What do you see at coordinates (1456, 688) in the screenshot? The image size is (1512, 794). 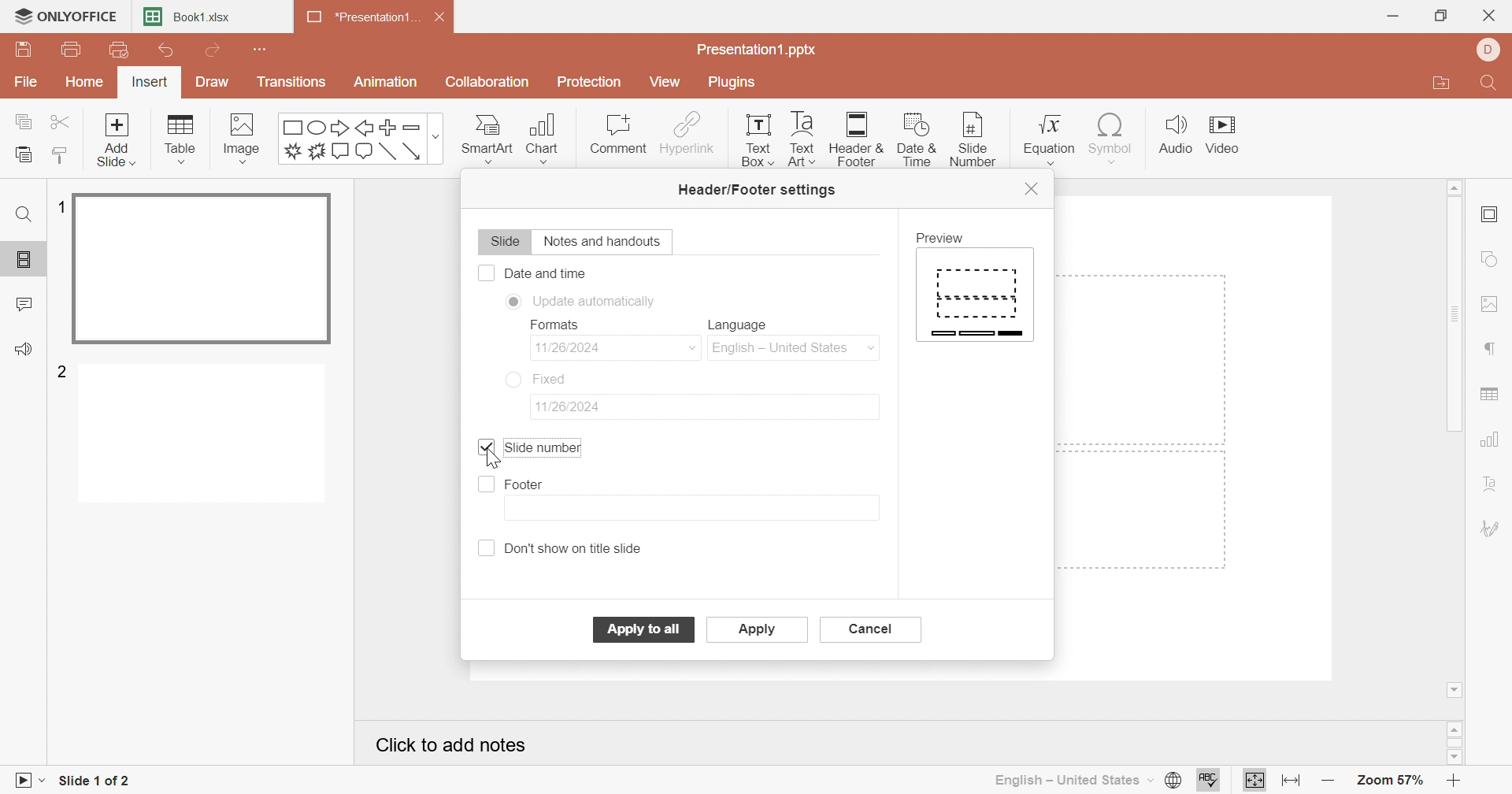 I see `Scroll Down` at bounding box center [1456, 688].